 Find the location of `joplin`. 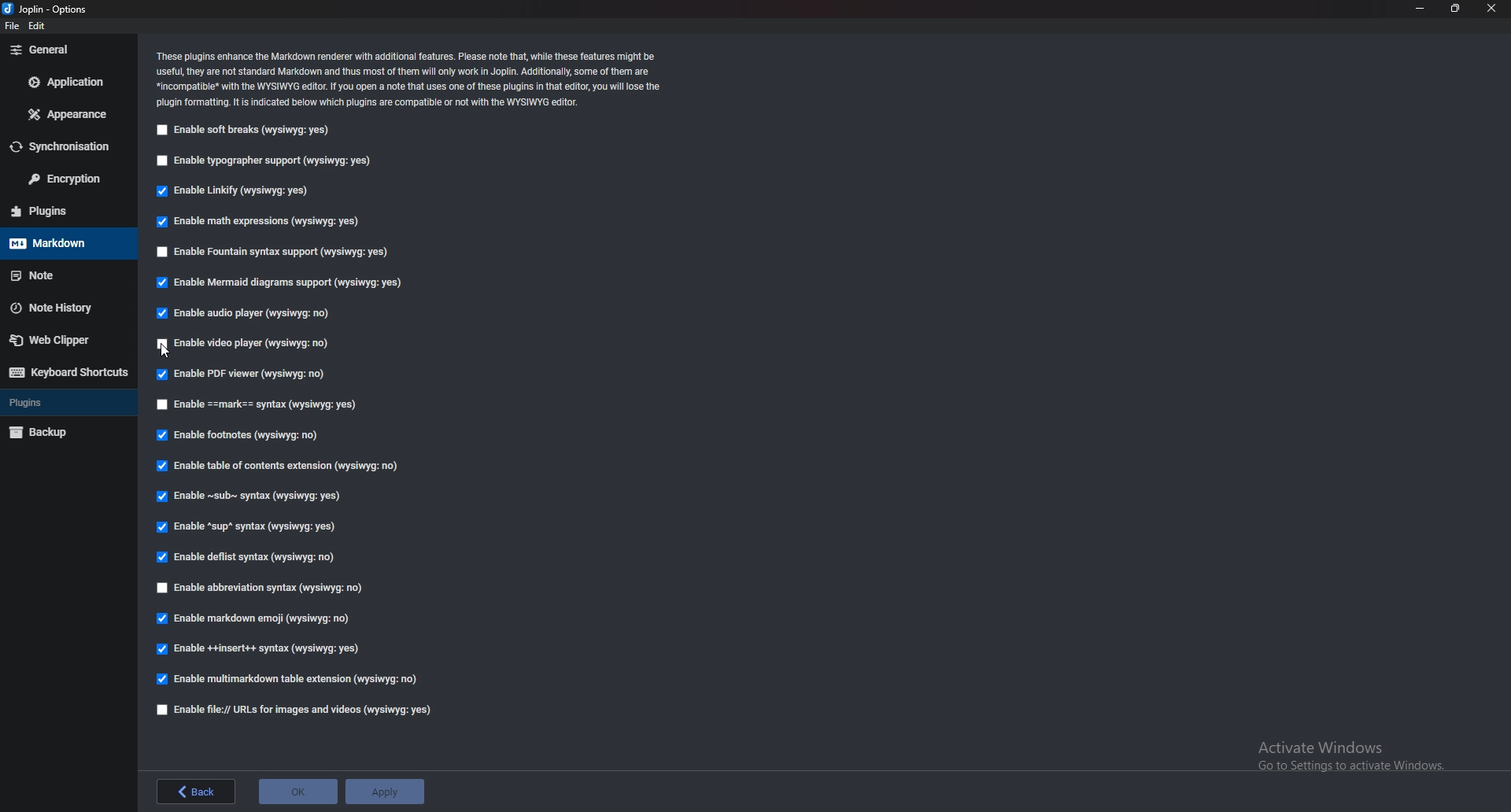

joplin is located at coordinates (49, 9).